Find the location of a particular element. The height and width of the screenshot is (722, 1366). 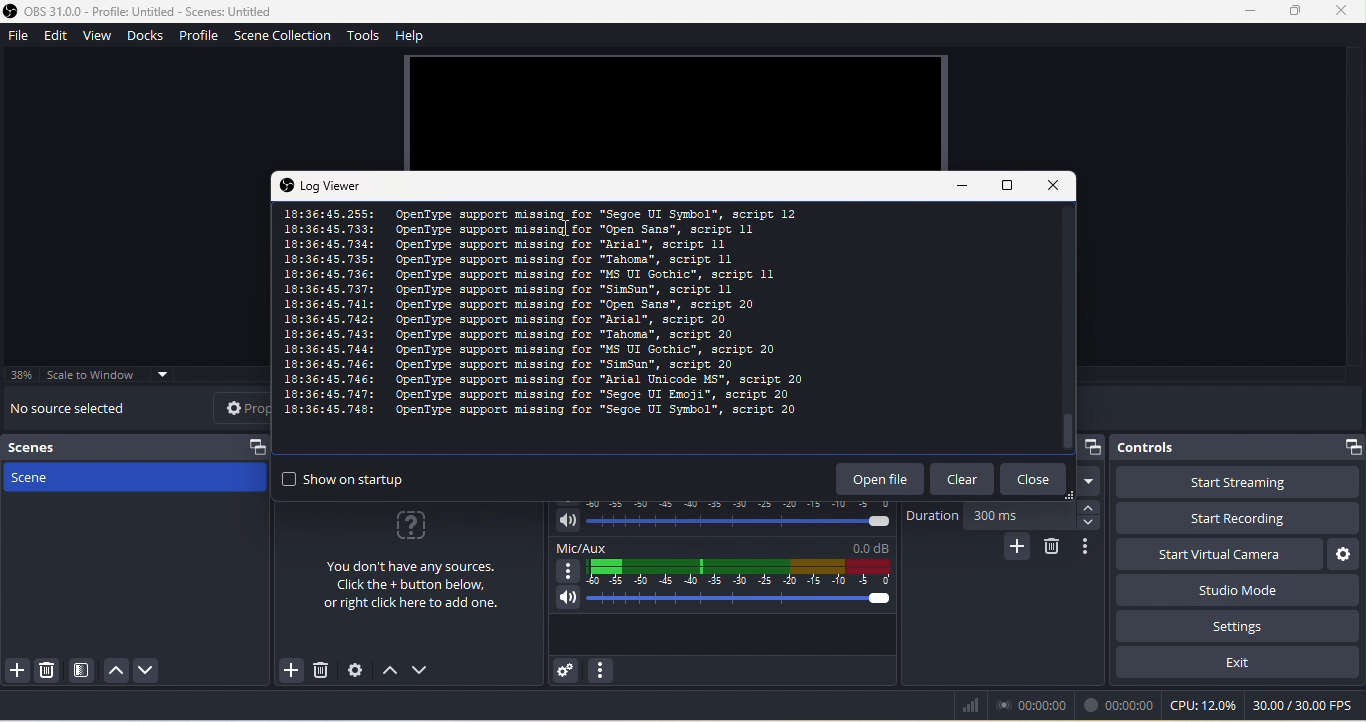

minimize is located at coordinates (1249, 11).